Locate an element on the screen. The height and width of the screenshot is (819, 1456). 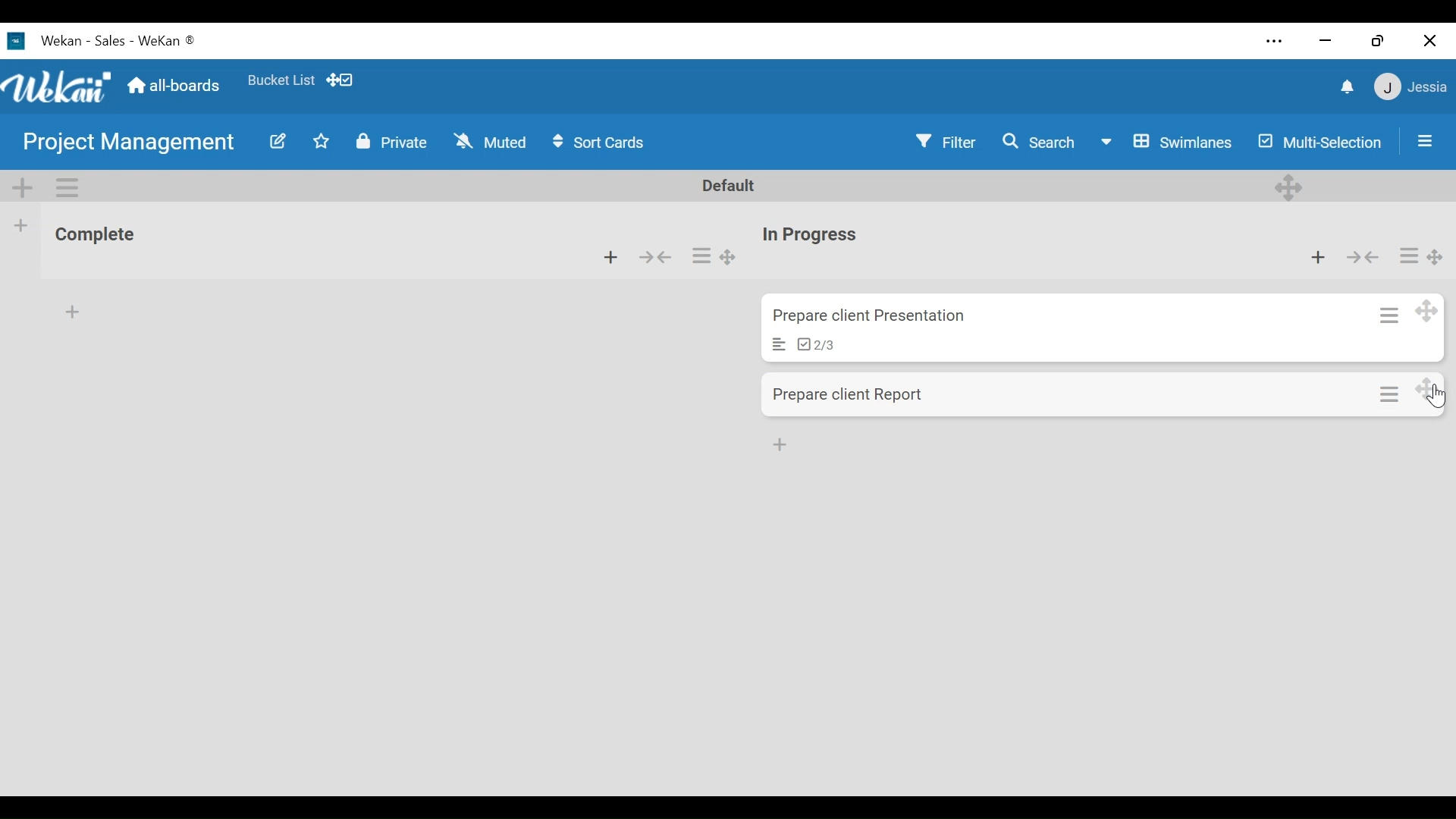
cursor is located at coordinates (1437, 400).